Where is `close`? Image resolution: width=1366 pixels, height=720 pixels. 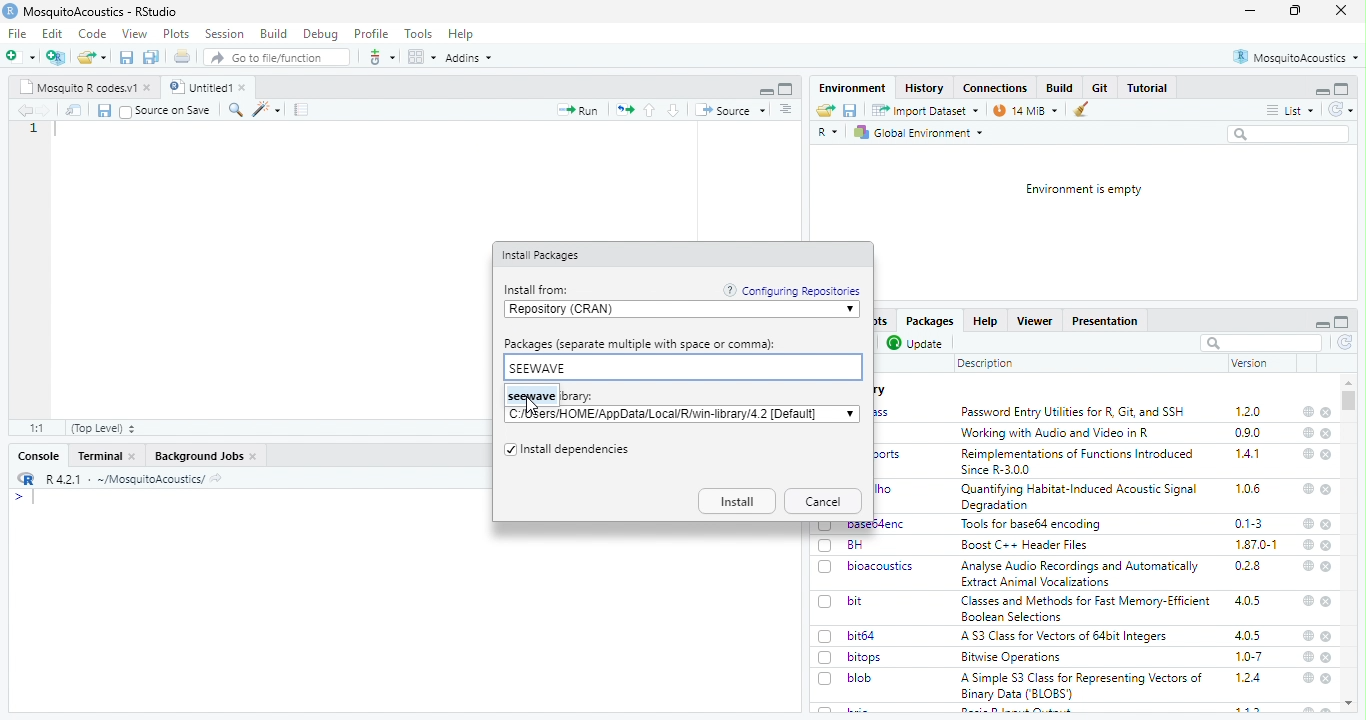
close is located at coordinates (1327, 658).